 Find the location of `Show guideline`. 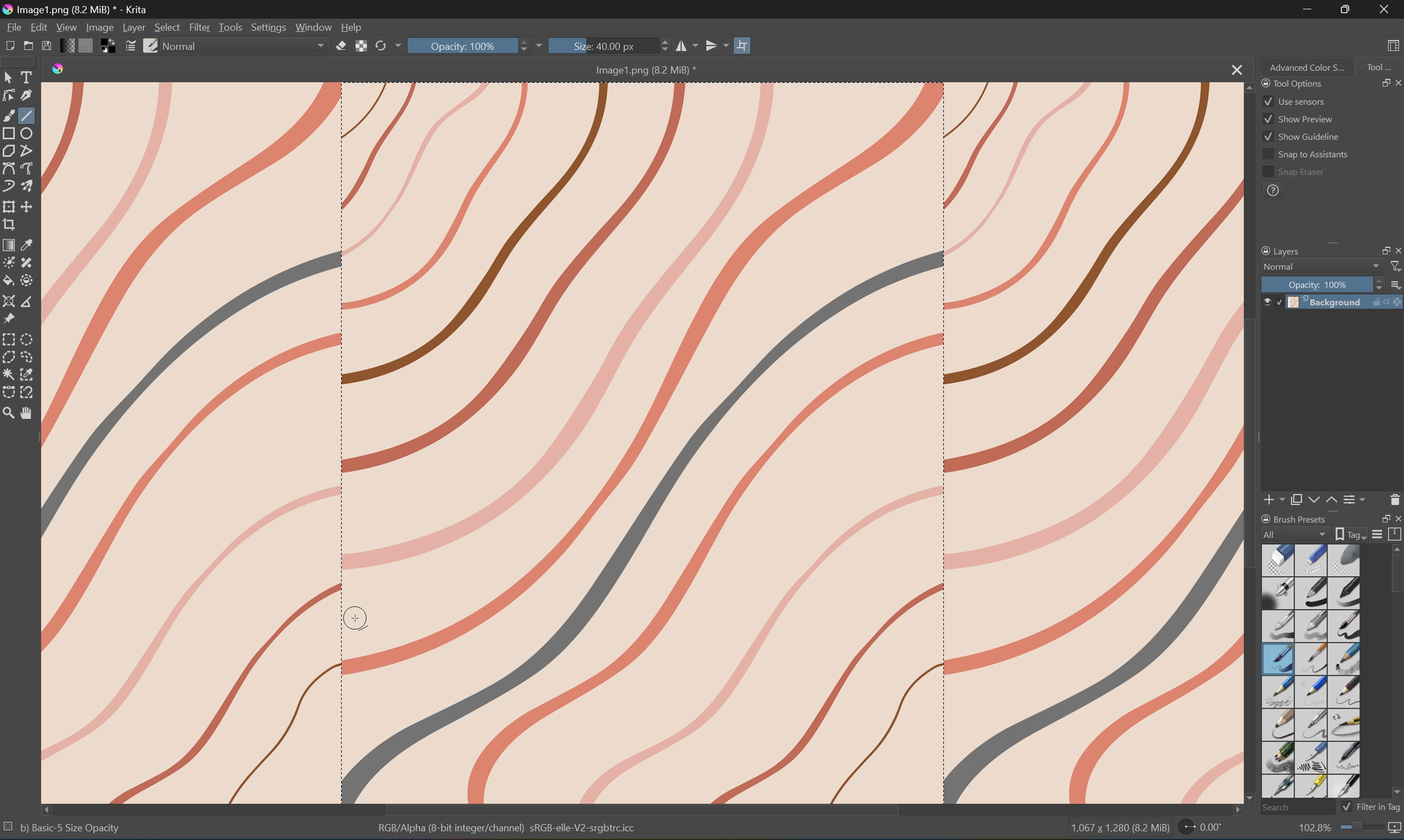

Show guideline is located at coordinates (1302, 139).